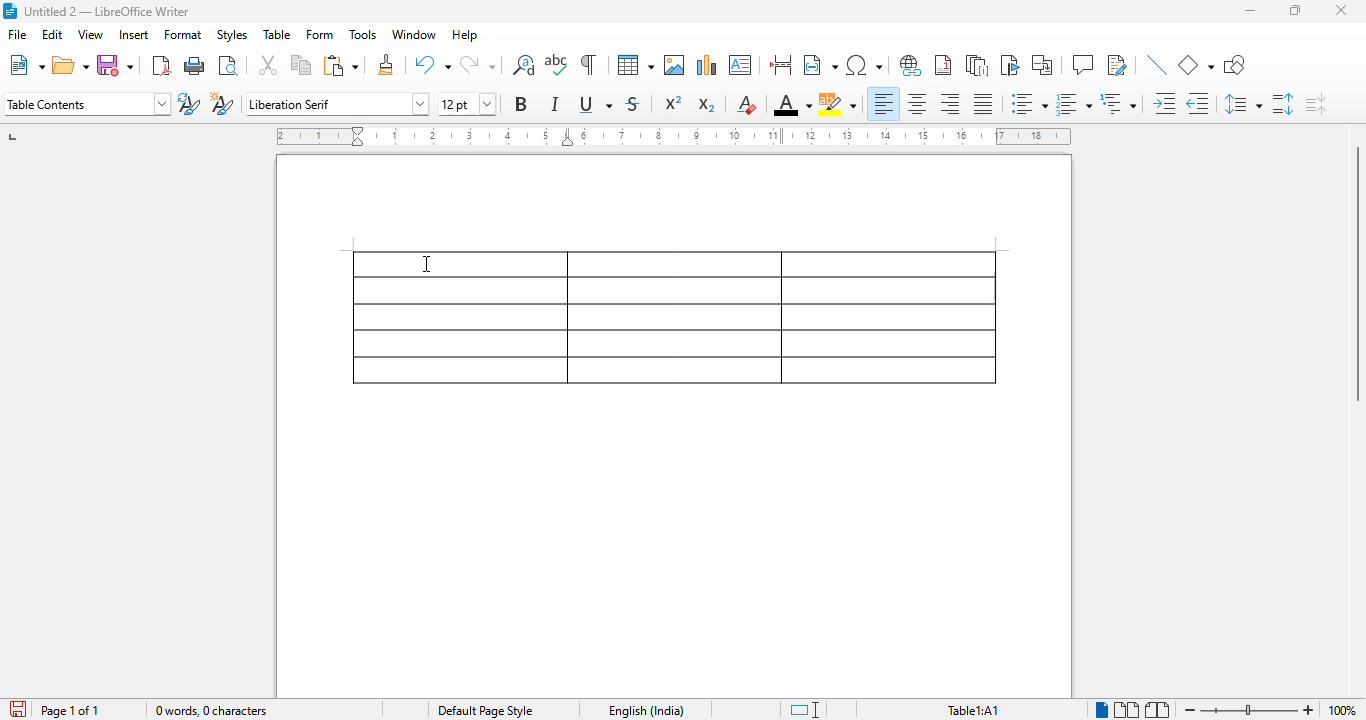  I want to click on bold, so click(522, 104).